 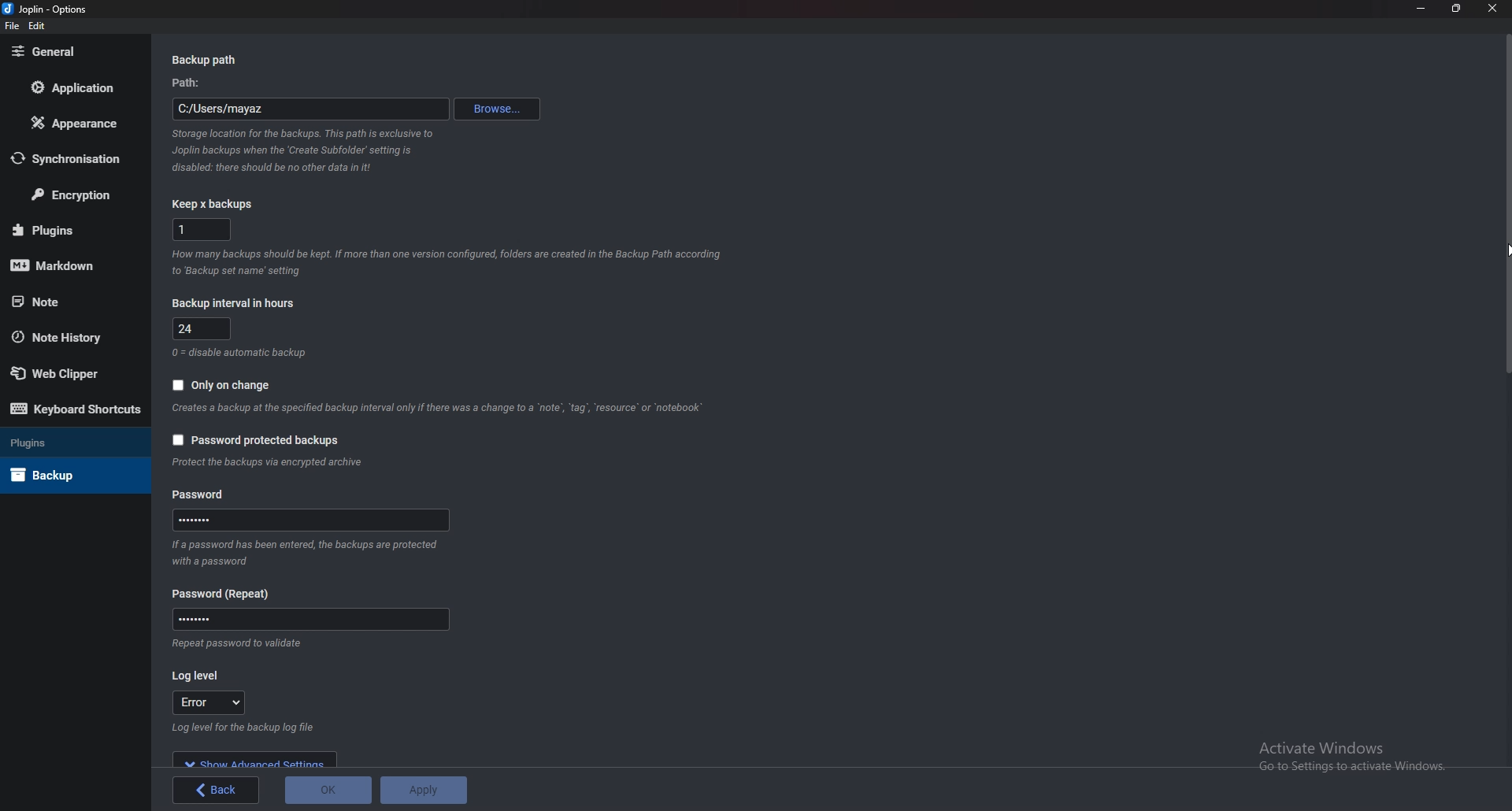 I want to click on Password, so click(x=312, y=520).